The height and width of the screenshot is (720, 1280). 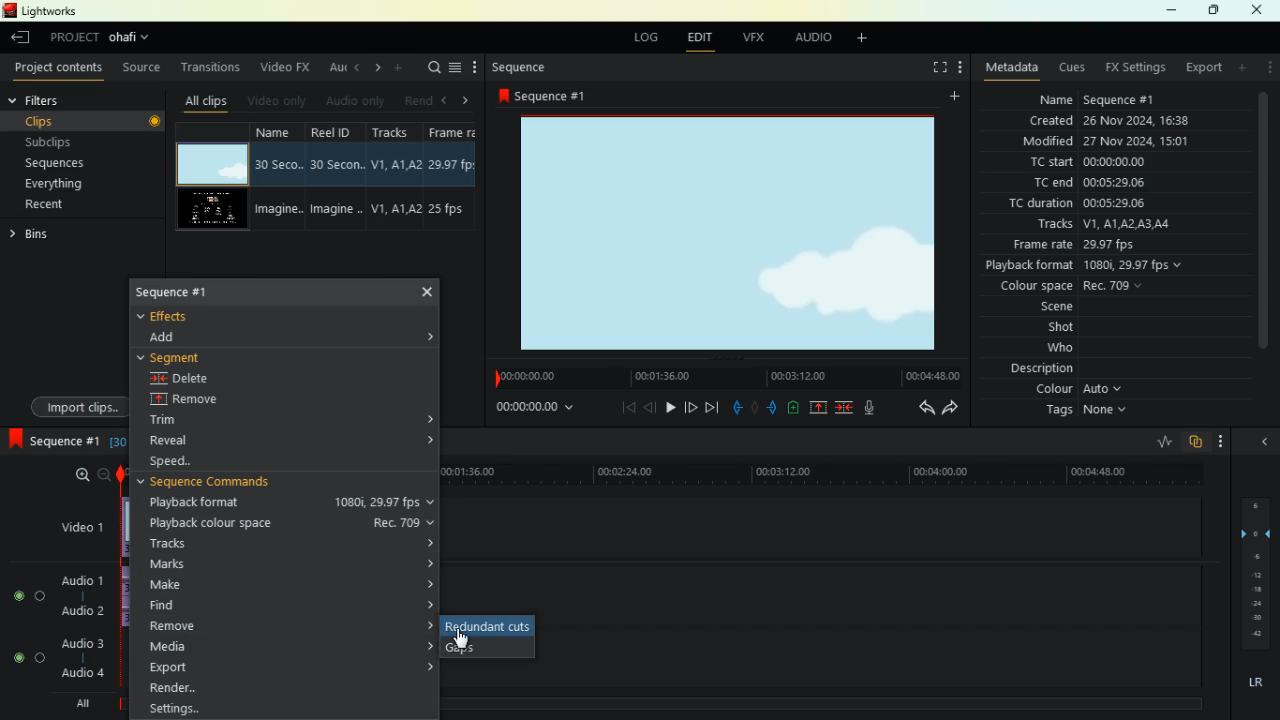 What do you see at coordinates (1262, 443) in the screenshot?
I see `close` at bounding box center [1262, 443].